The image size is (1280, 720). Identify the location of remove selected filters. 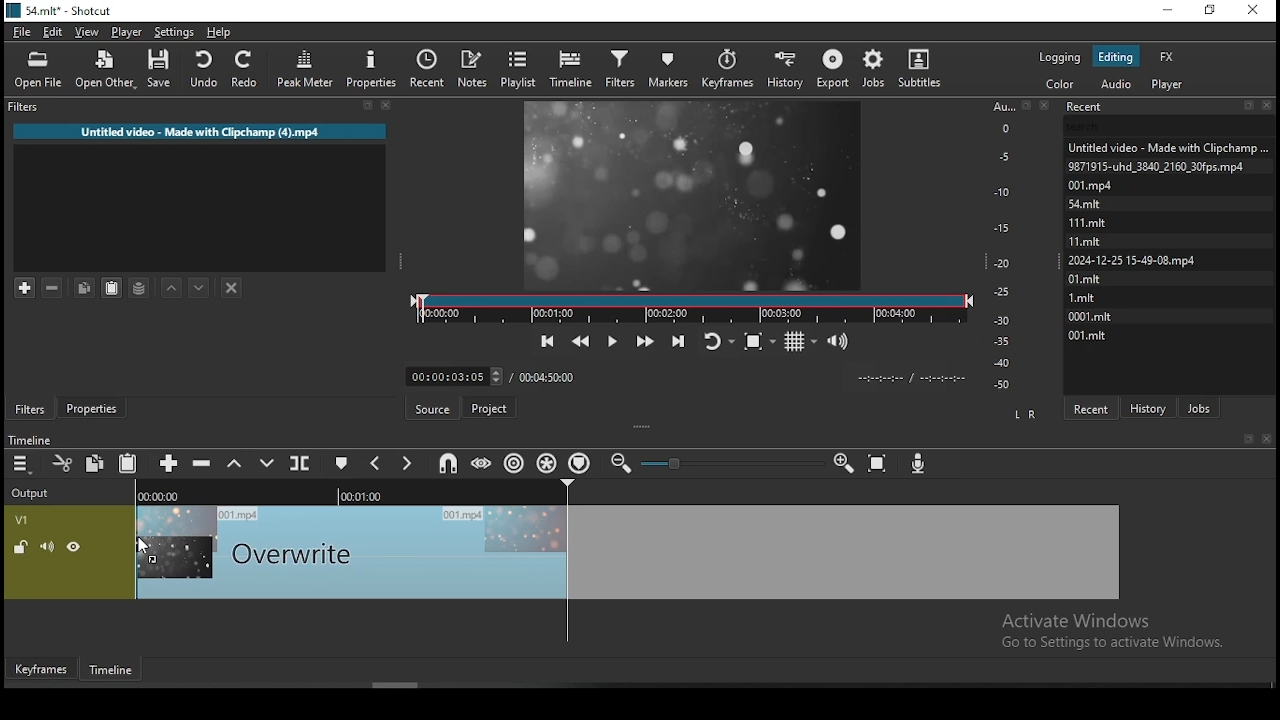
(51, 284).